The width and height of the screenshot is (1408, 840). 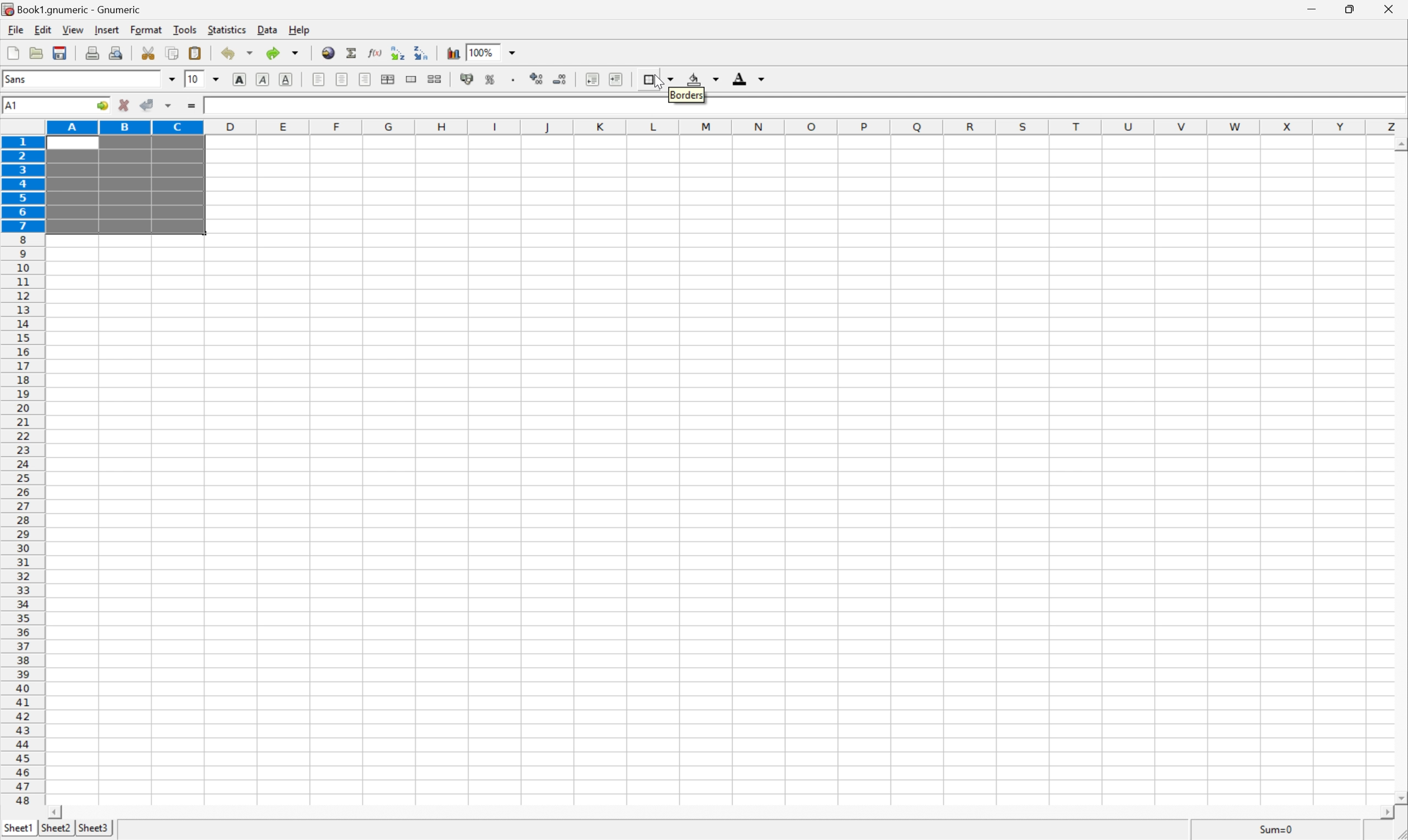 What do you see at coordinates (1399, 145) in the screenshot?
I see `scroll up` at bounding box center [1399, 145].